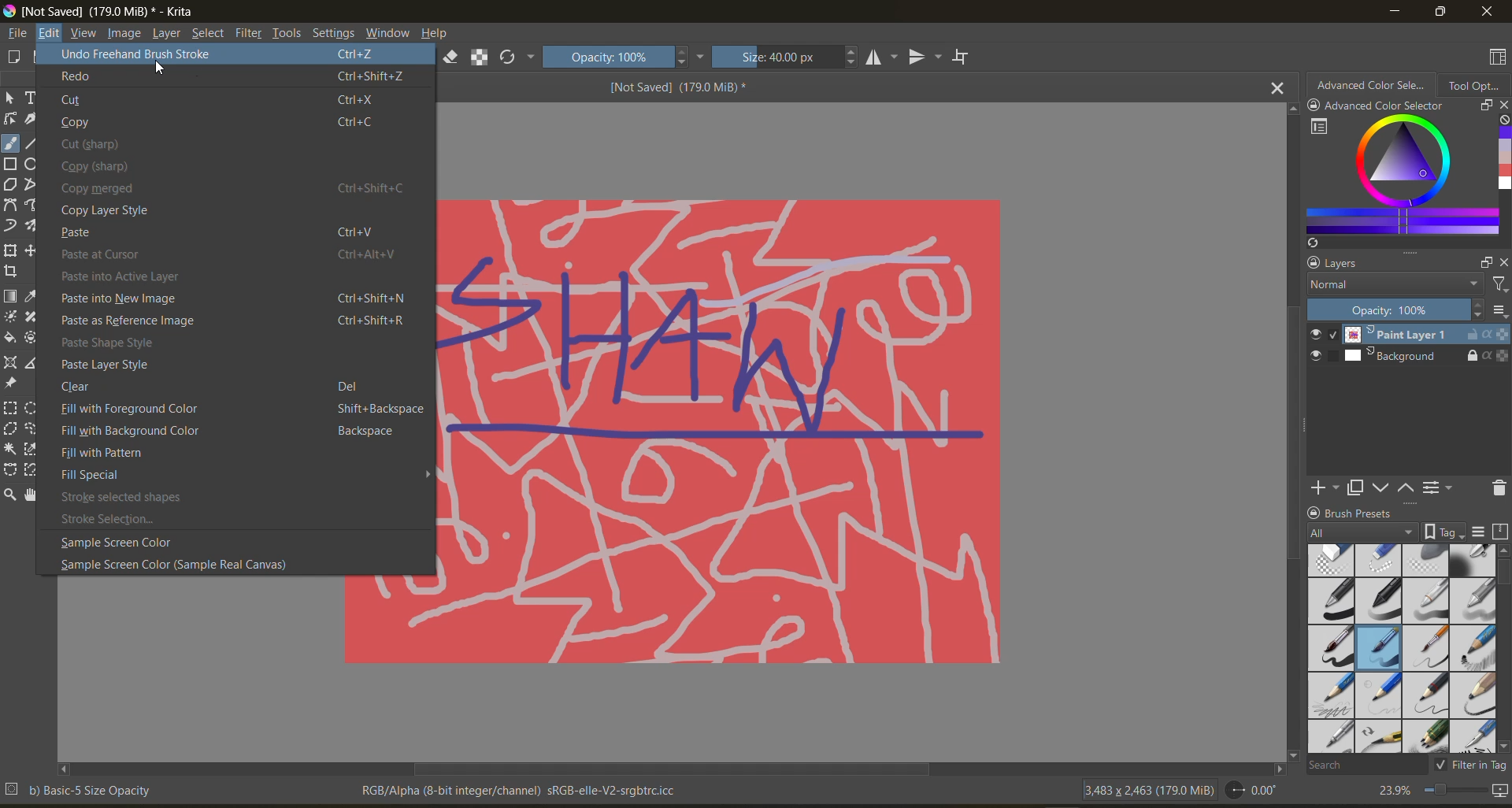 This screenshot has height=808, width=1512. Describe the element at coordinates (1502, 313) in the screenshot. I see `options` at that location.